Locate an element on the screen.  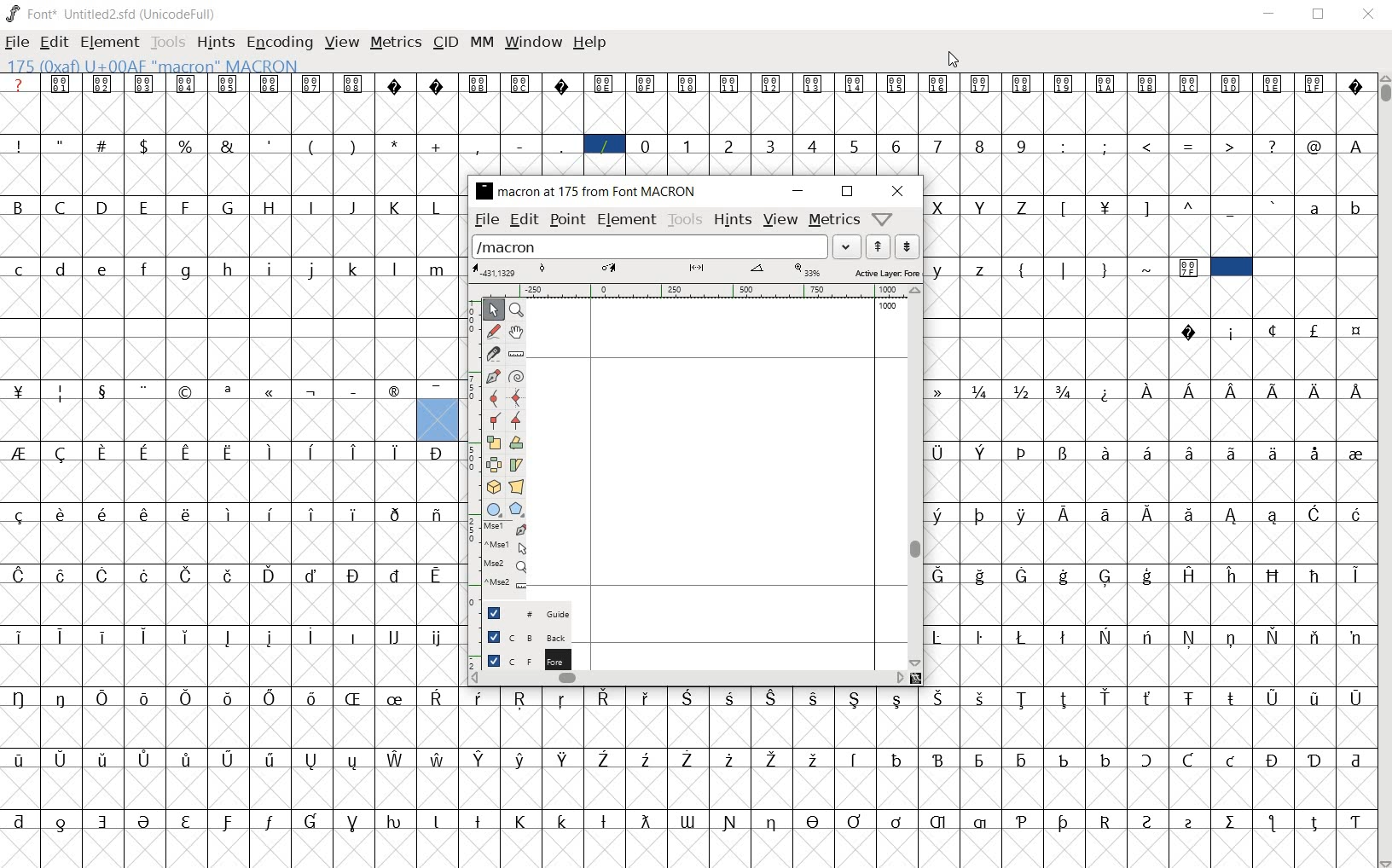
Mouse left button + Ctrl is located at coordinates (507, 548).